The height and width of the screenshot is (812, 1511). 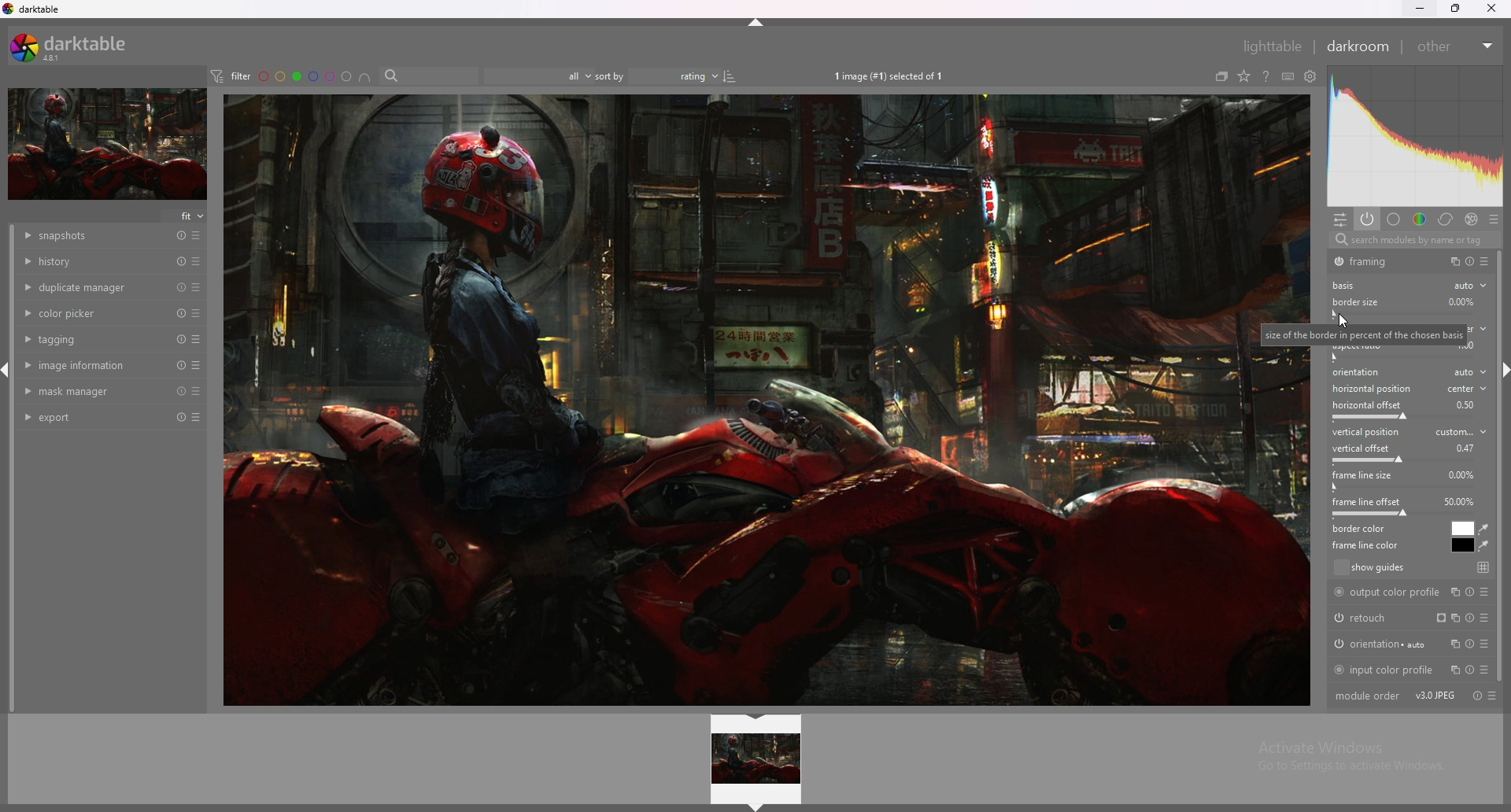 What do you see at coordinates (94, 312) in the screenshot?
I see `color picker` at bounding box center [94, 312].